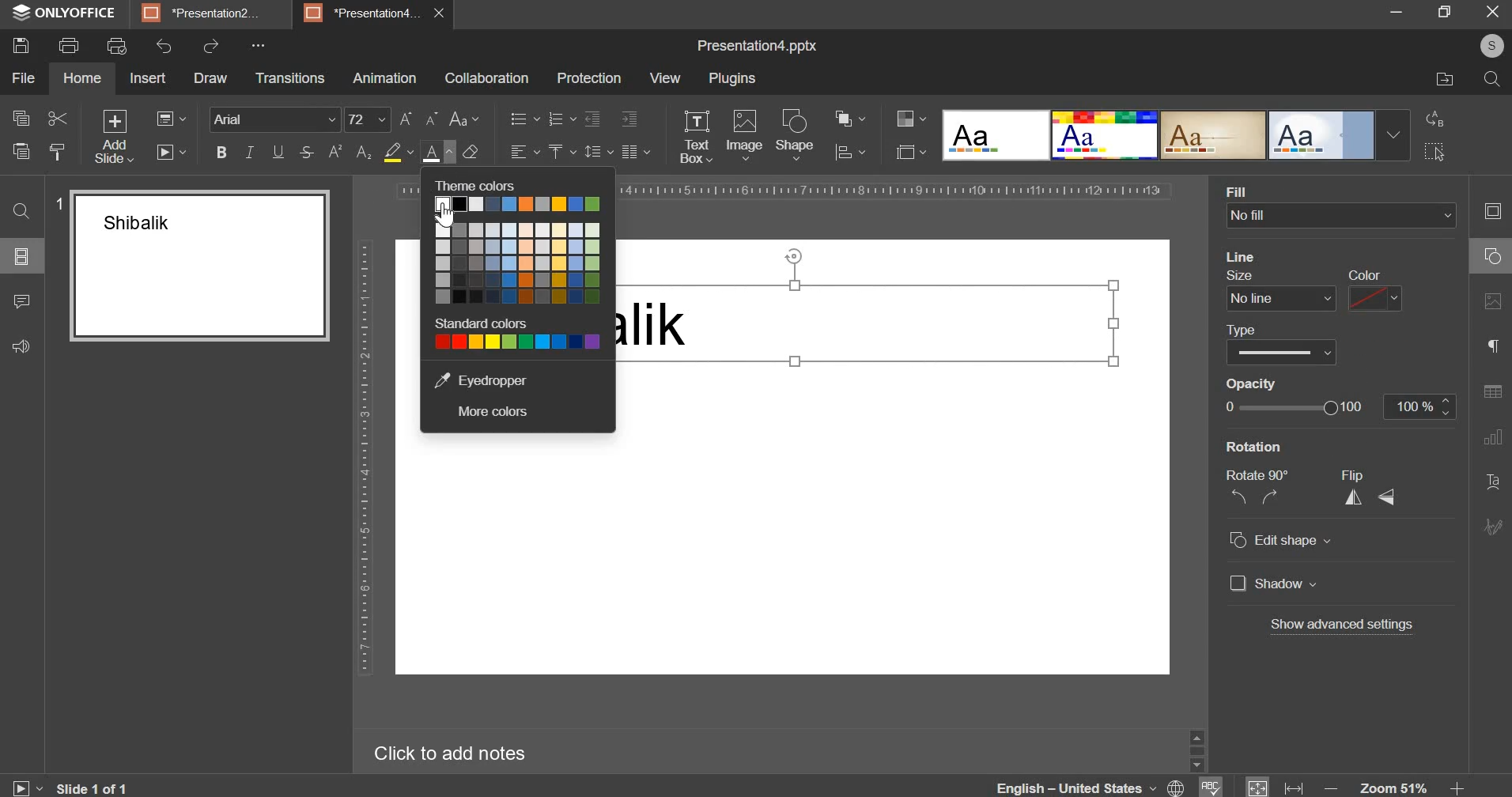 The height and width of the screenshot is (797, 1512). I want to click on theme colors, so click(486, 185).